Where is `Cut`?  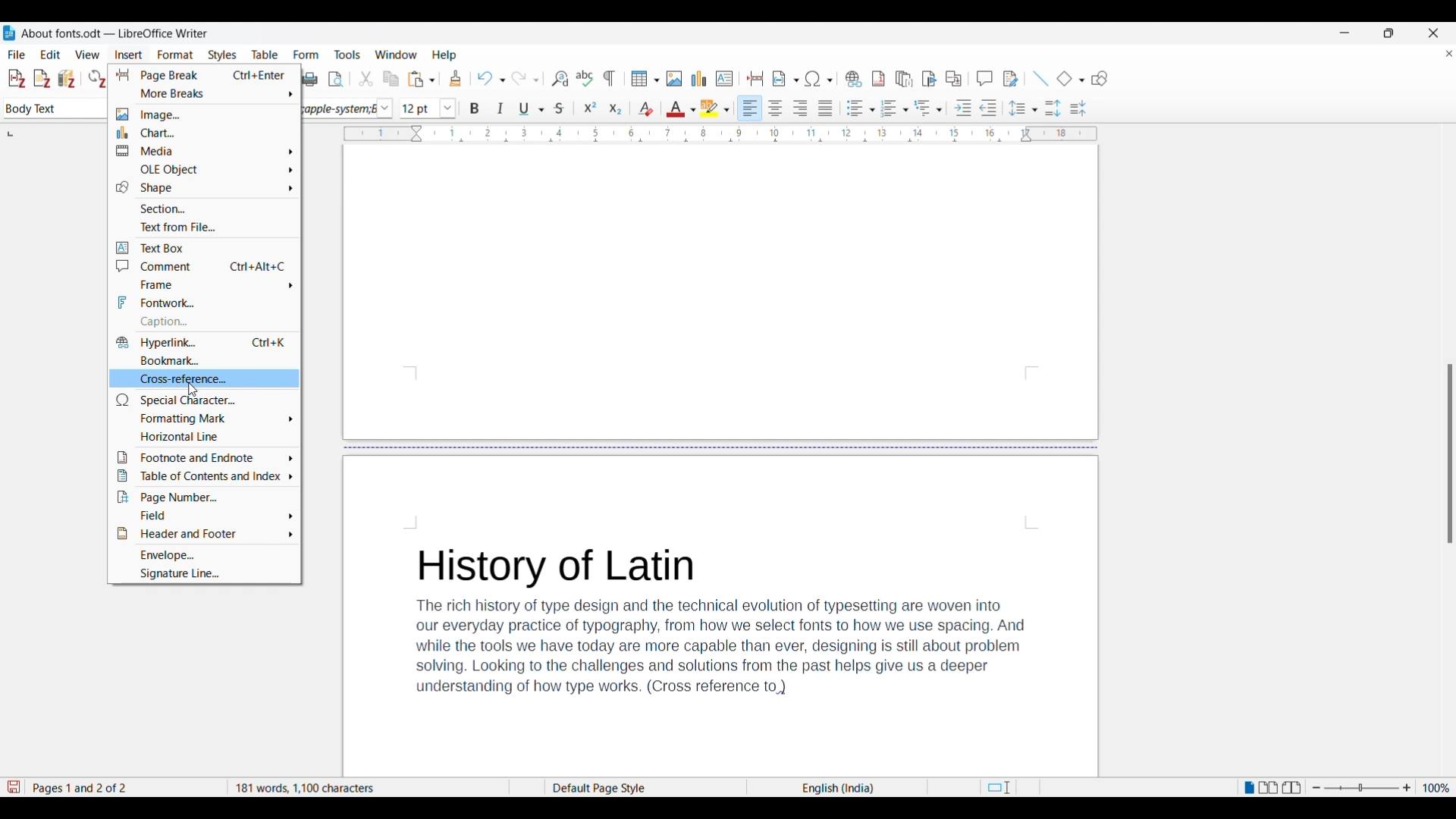
Cut is located at coordinates (366, 78).